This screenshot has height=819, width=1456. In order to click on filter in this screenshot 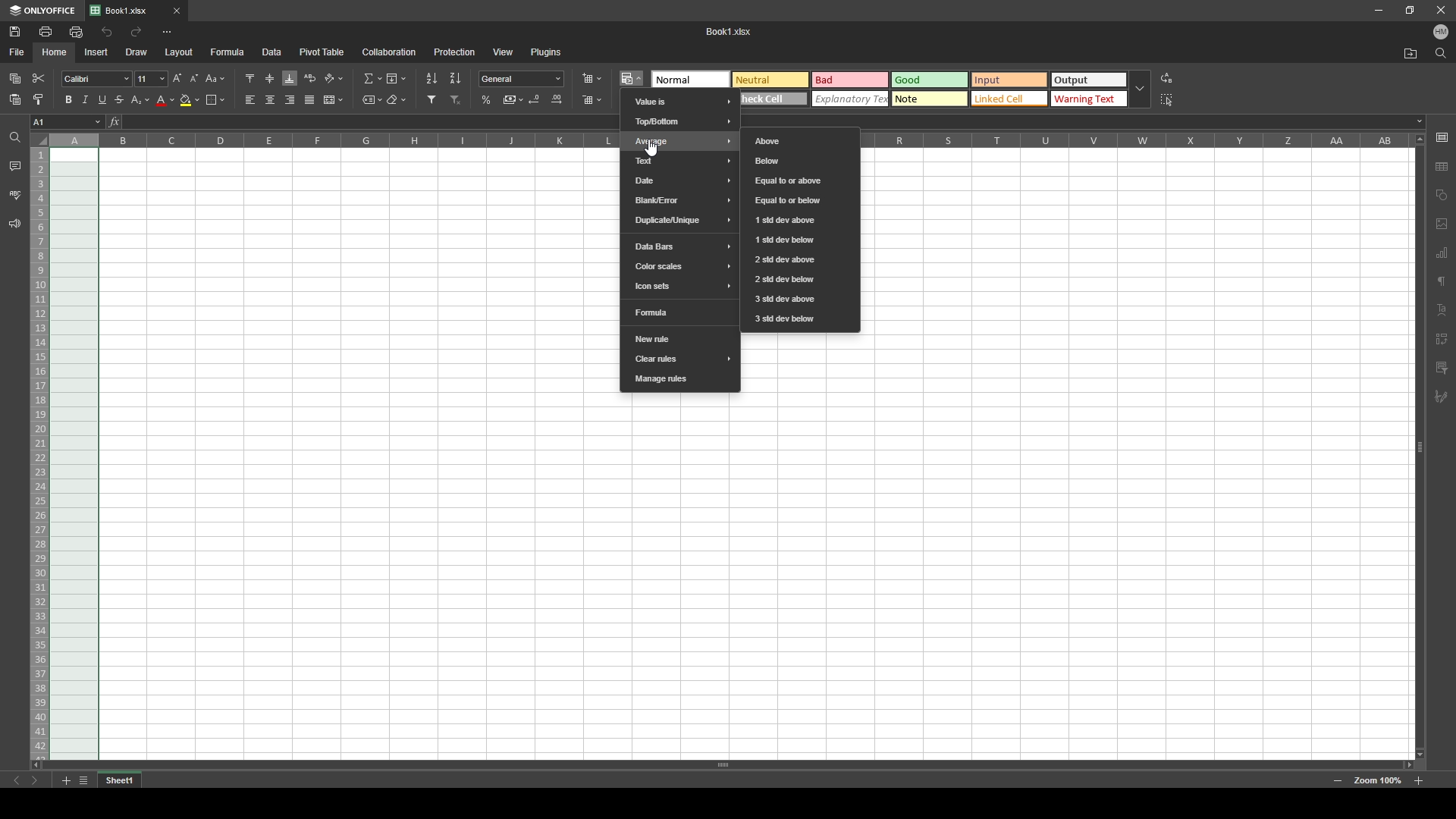, I will do `click(432, 99)`.